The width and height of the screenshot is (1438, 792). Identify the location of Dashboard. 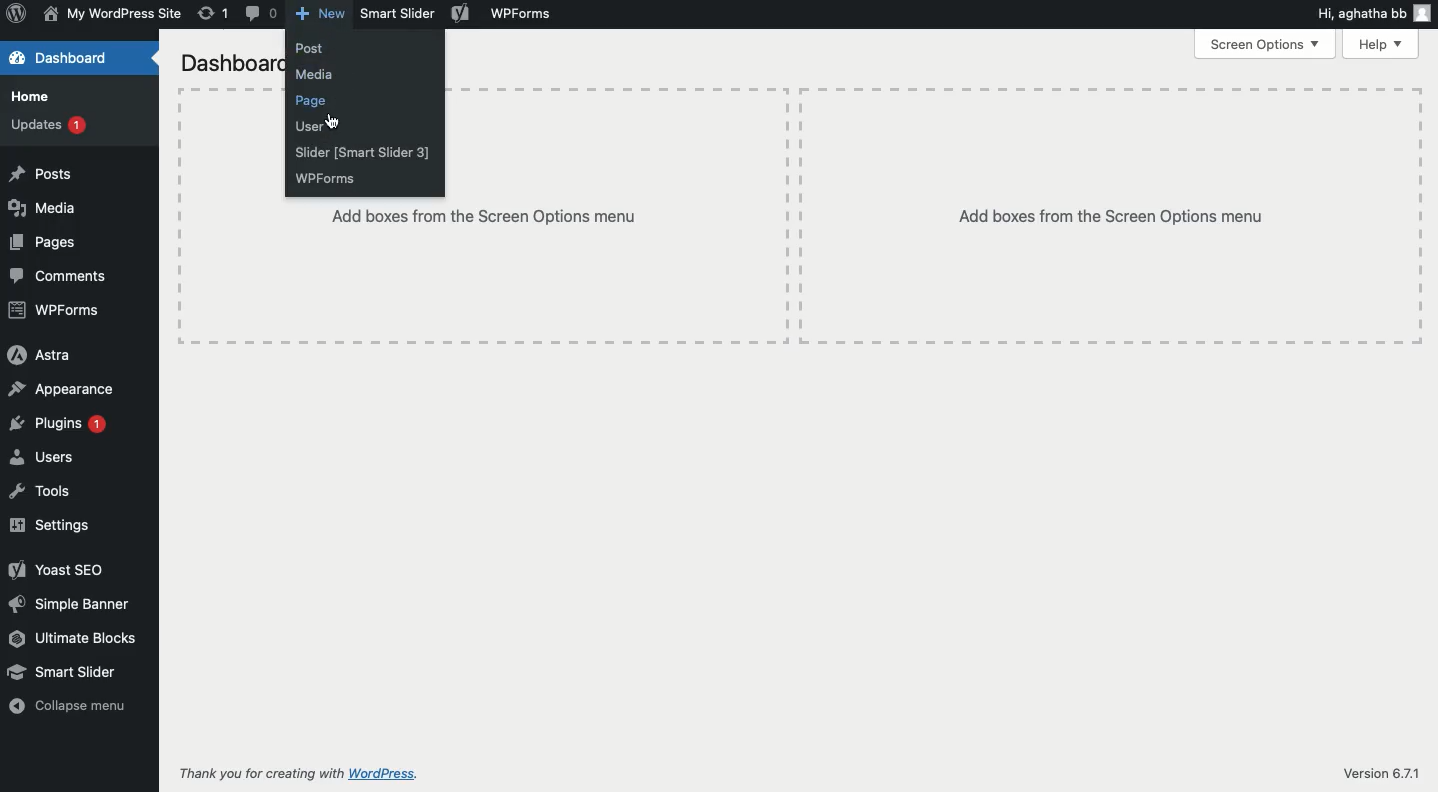
(63, 60).